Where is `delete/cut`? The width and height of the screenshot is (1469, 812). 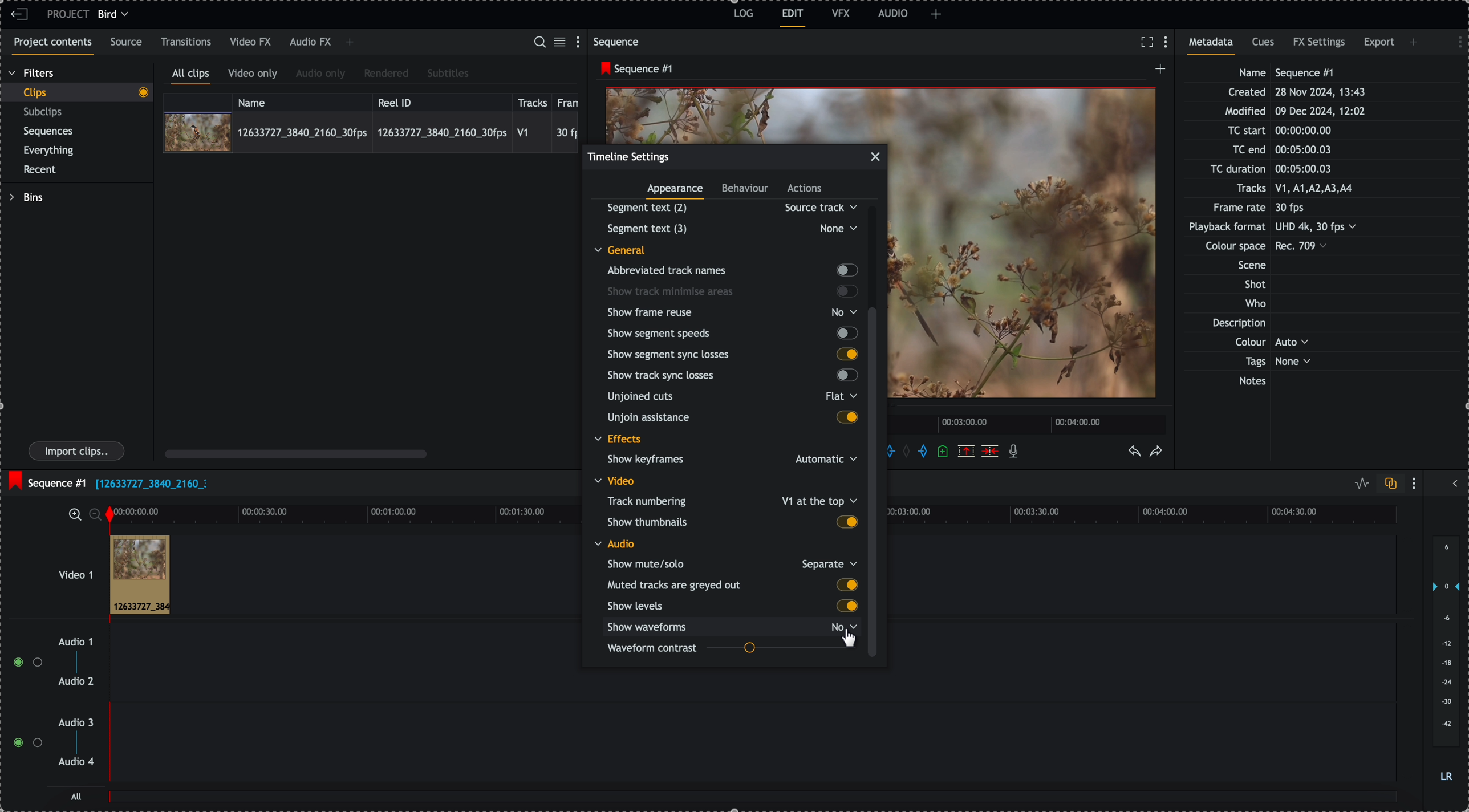 delete/cut is located at coordinates (990, 451).